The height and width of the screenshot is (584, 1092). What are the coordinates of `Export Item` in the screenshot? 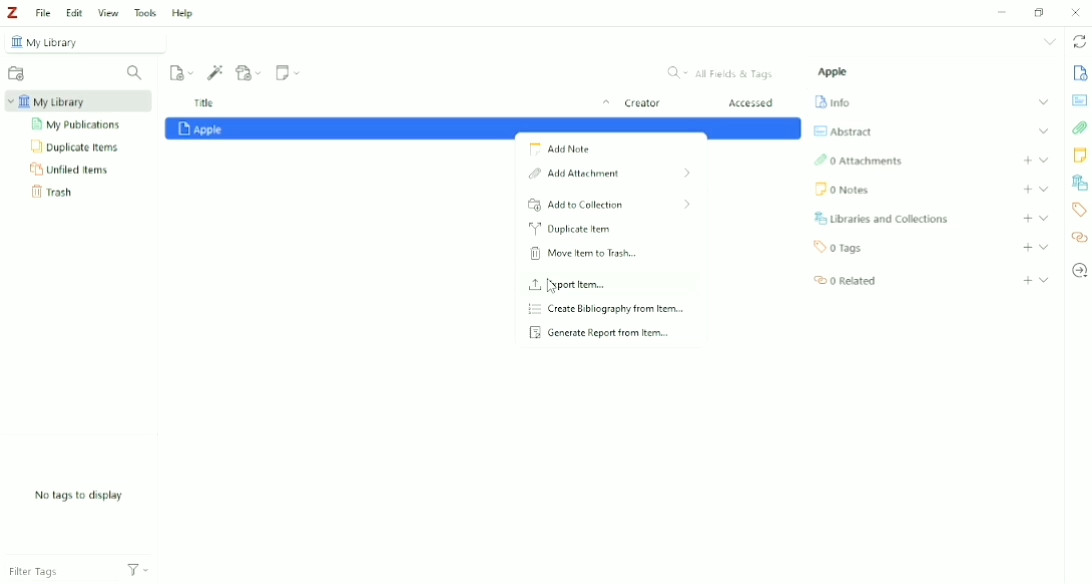 It's located at (570, 285).